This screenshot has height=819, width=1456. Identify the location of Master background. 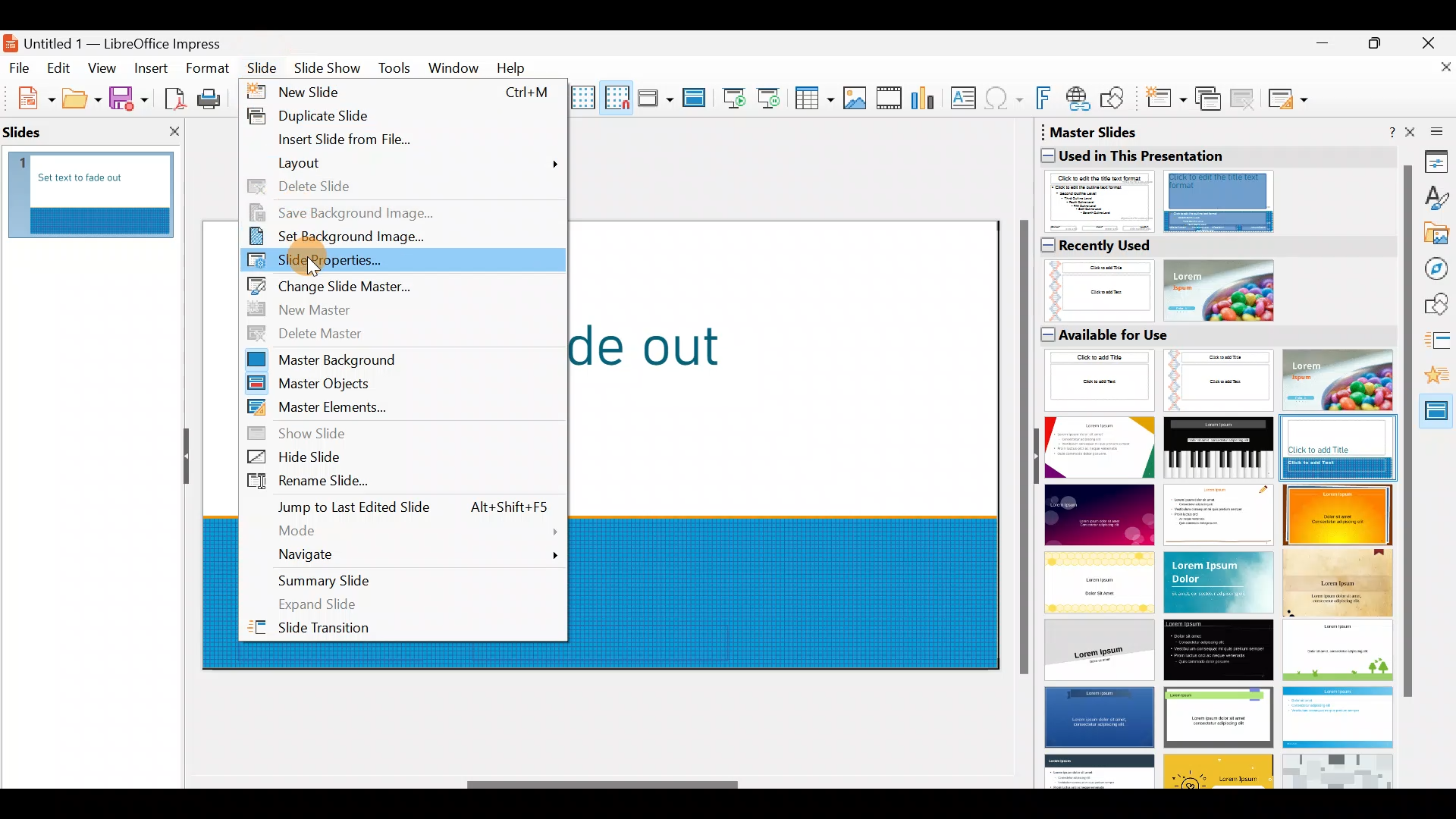
(399, 359).